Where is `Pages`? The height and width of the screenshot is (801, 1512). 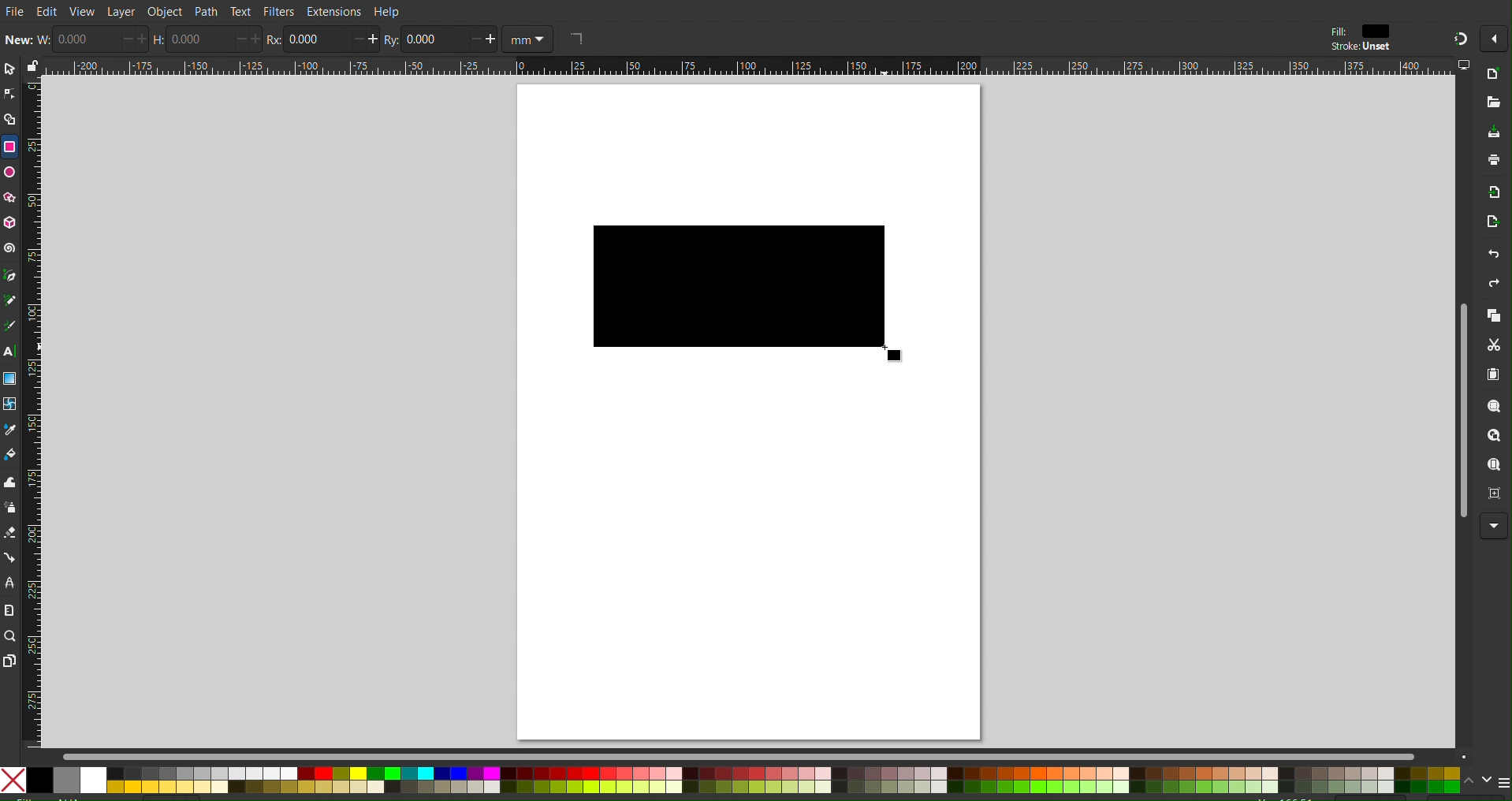 Pages is located at coordinates (9, 660).